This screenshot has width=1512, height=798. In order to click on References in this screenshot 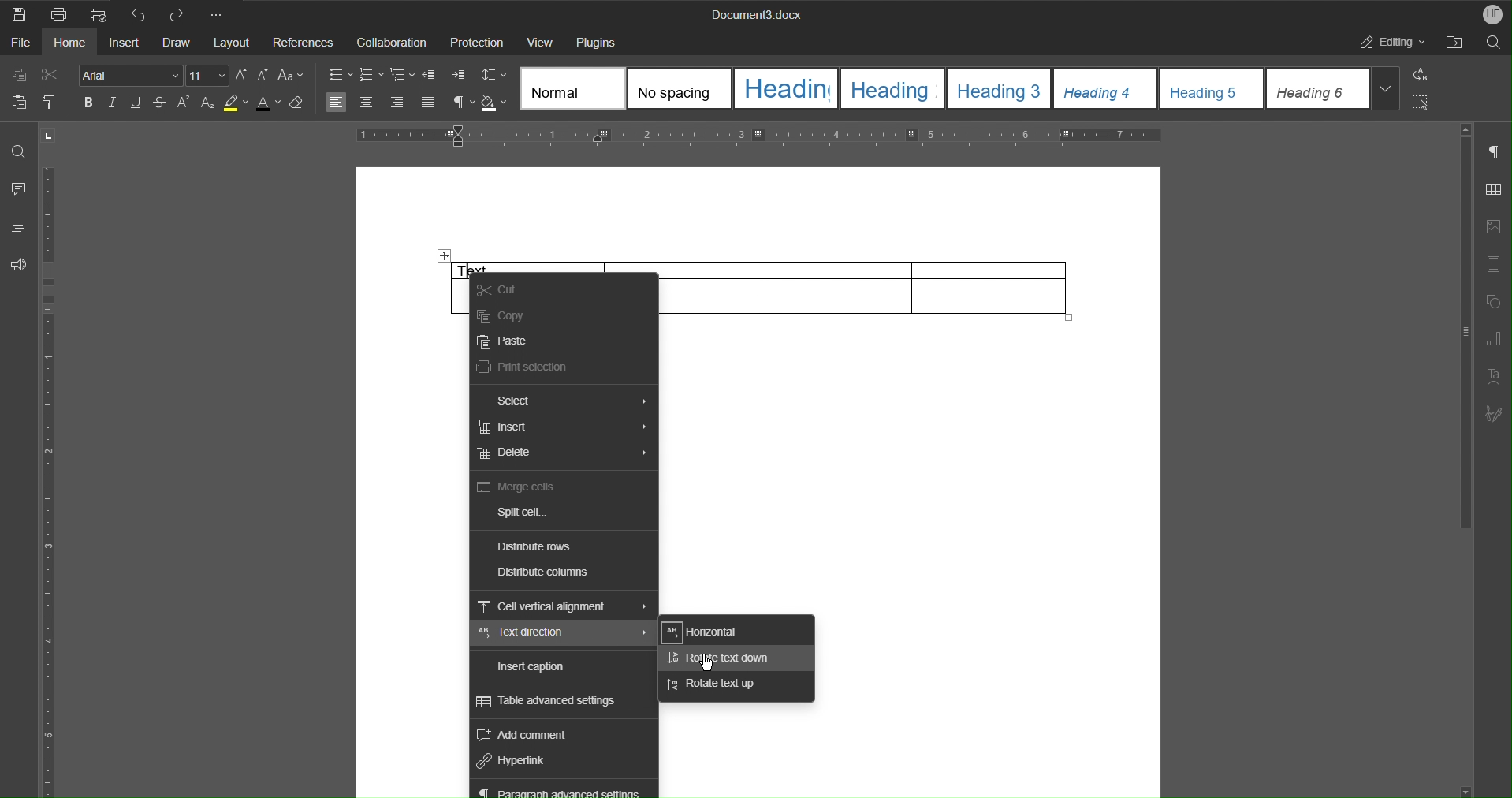, I will do `click(303, 42)`.